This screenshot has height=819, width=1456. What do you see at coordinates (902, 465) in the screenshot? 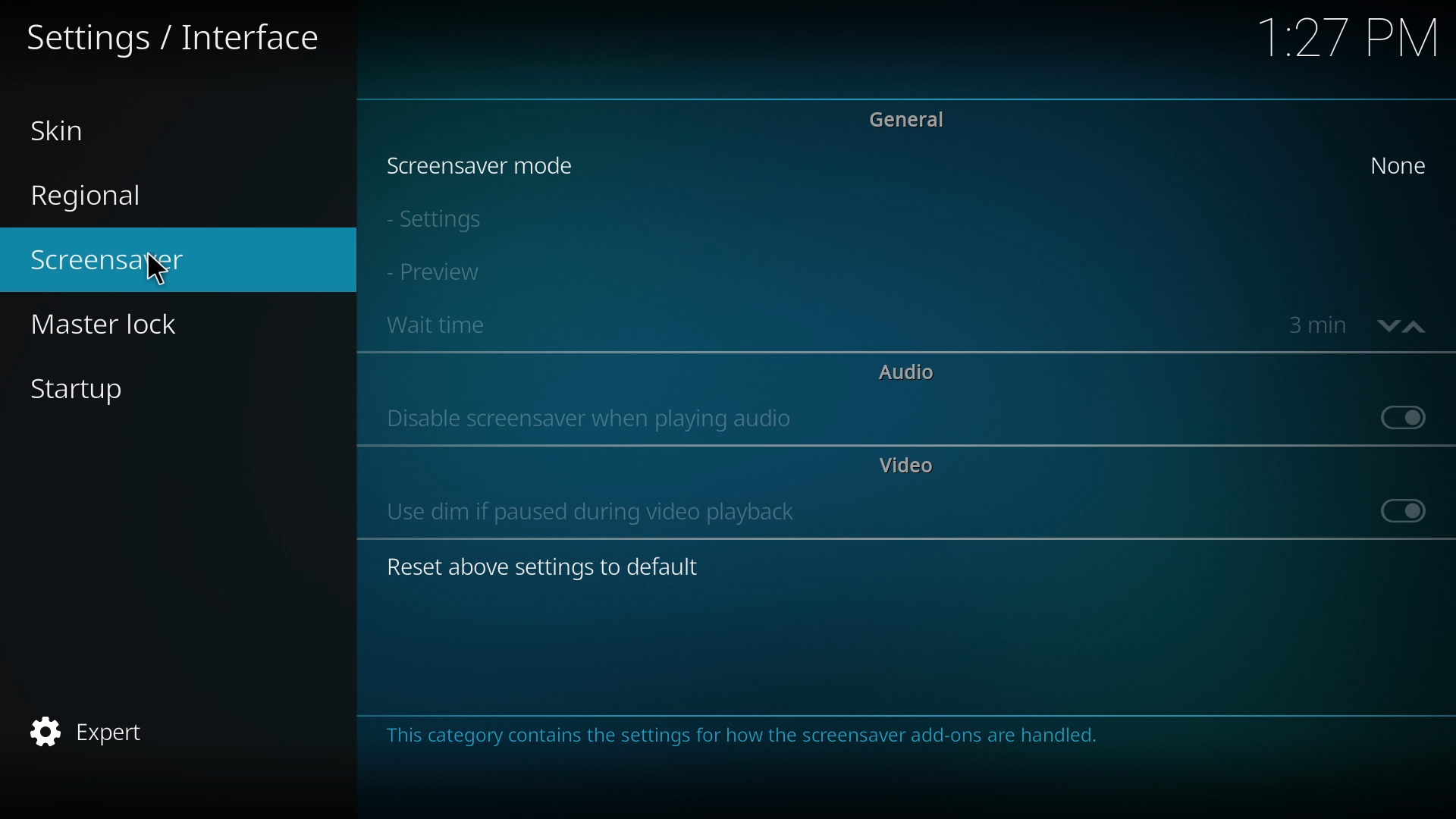
I see `video` at bounding box center [902, 465].